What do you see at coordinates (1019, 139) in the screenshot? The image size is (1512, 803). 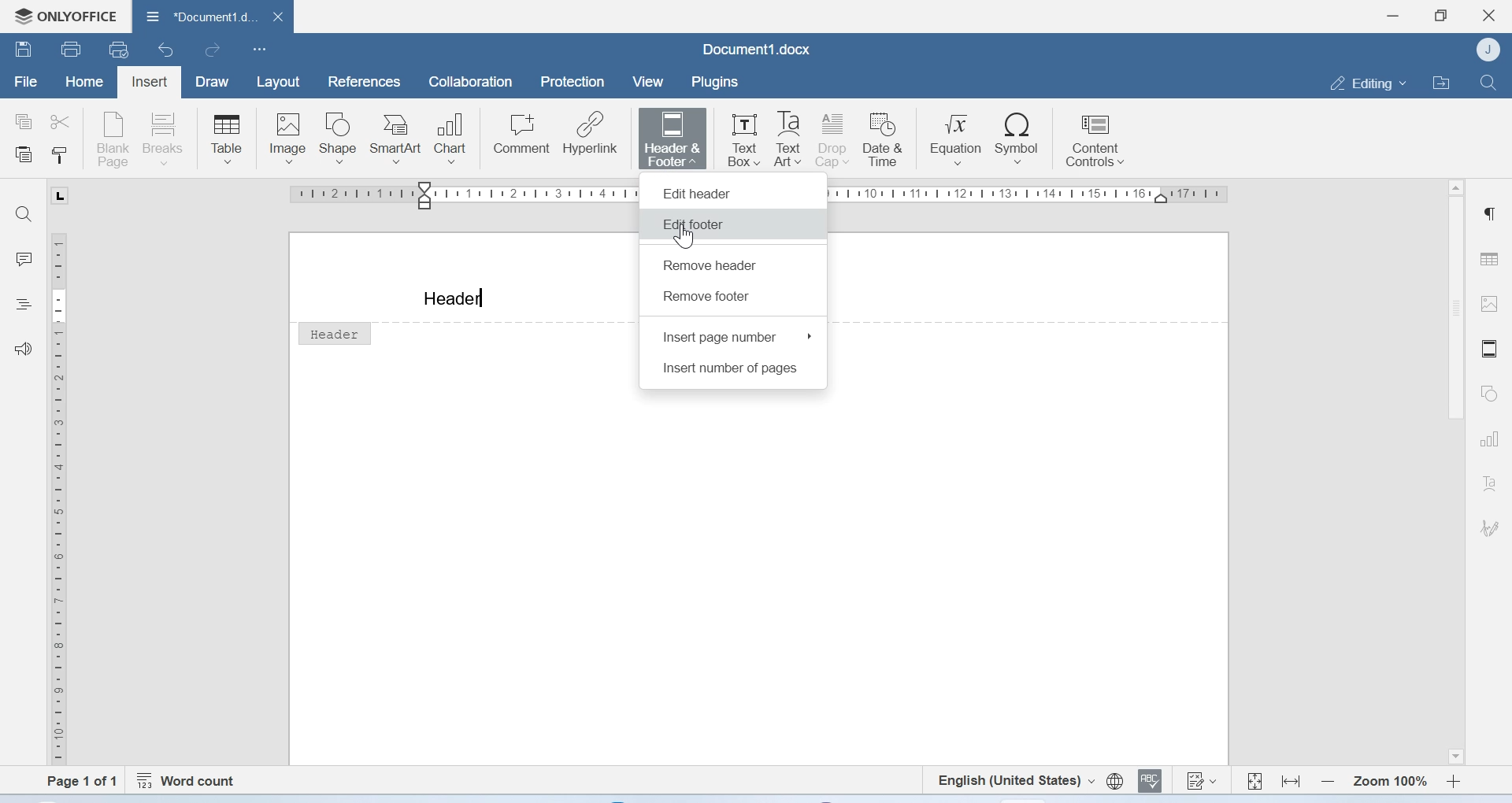 I see `Symbol` at bounding box center [1019, 139].